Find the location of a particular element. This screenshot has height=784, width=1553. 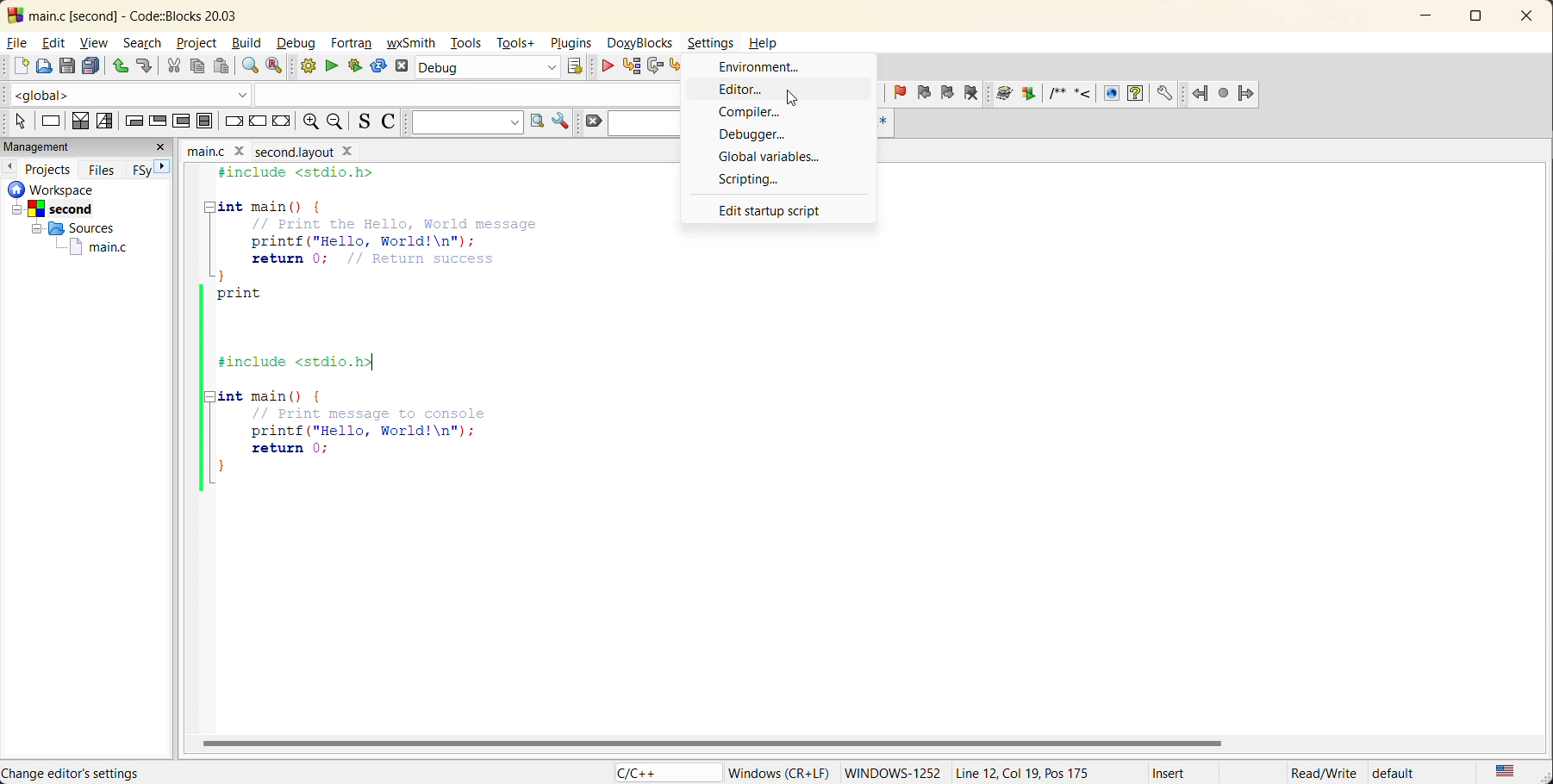

project is located at coordinates (199, 44).